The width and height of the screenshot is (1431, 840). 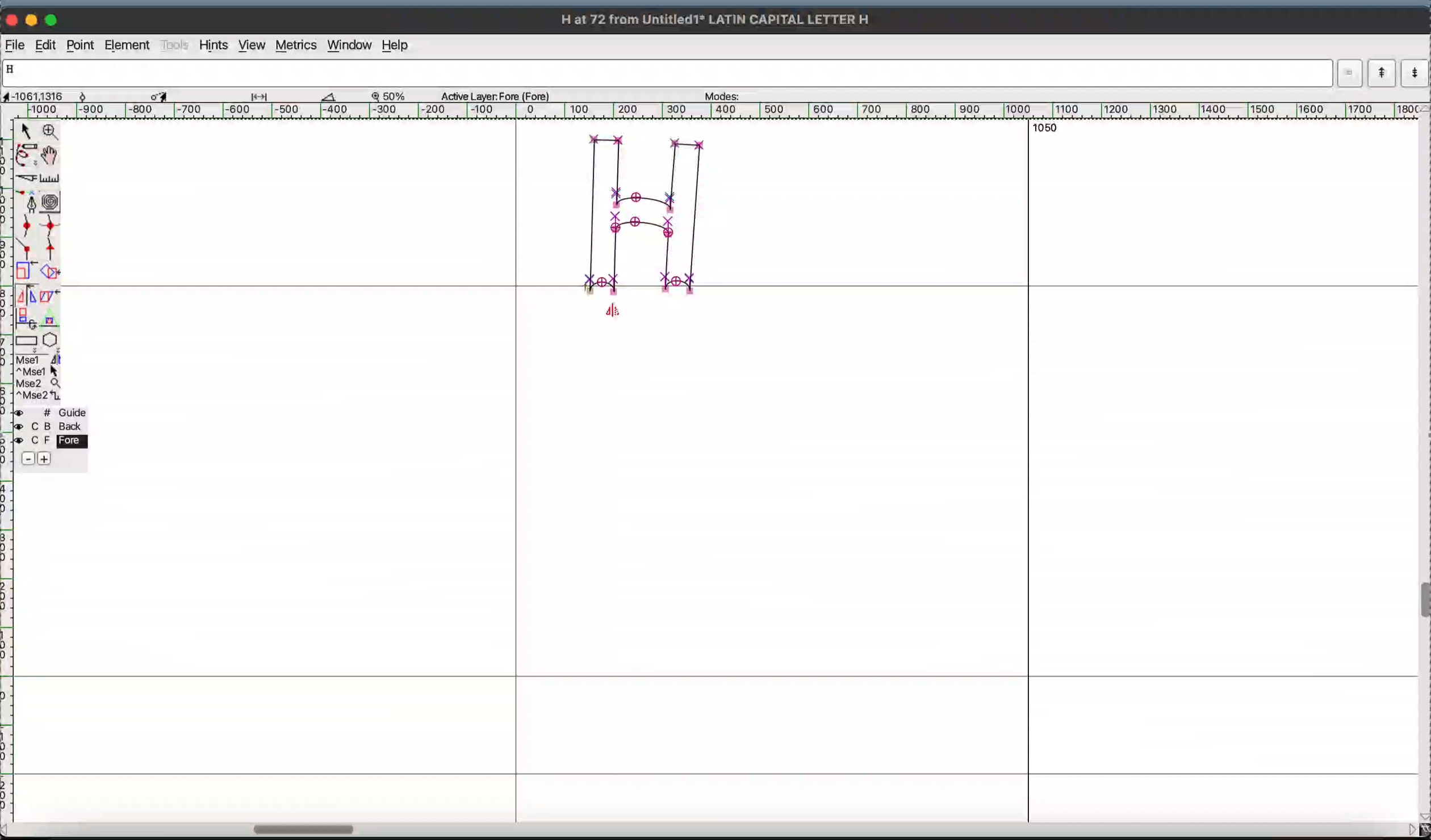 I want to click on mouse button assignment, so click(x=39, y=377).